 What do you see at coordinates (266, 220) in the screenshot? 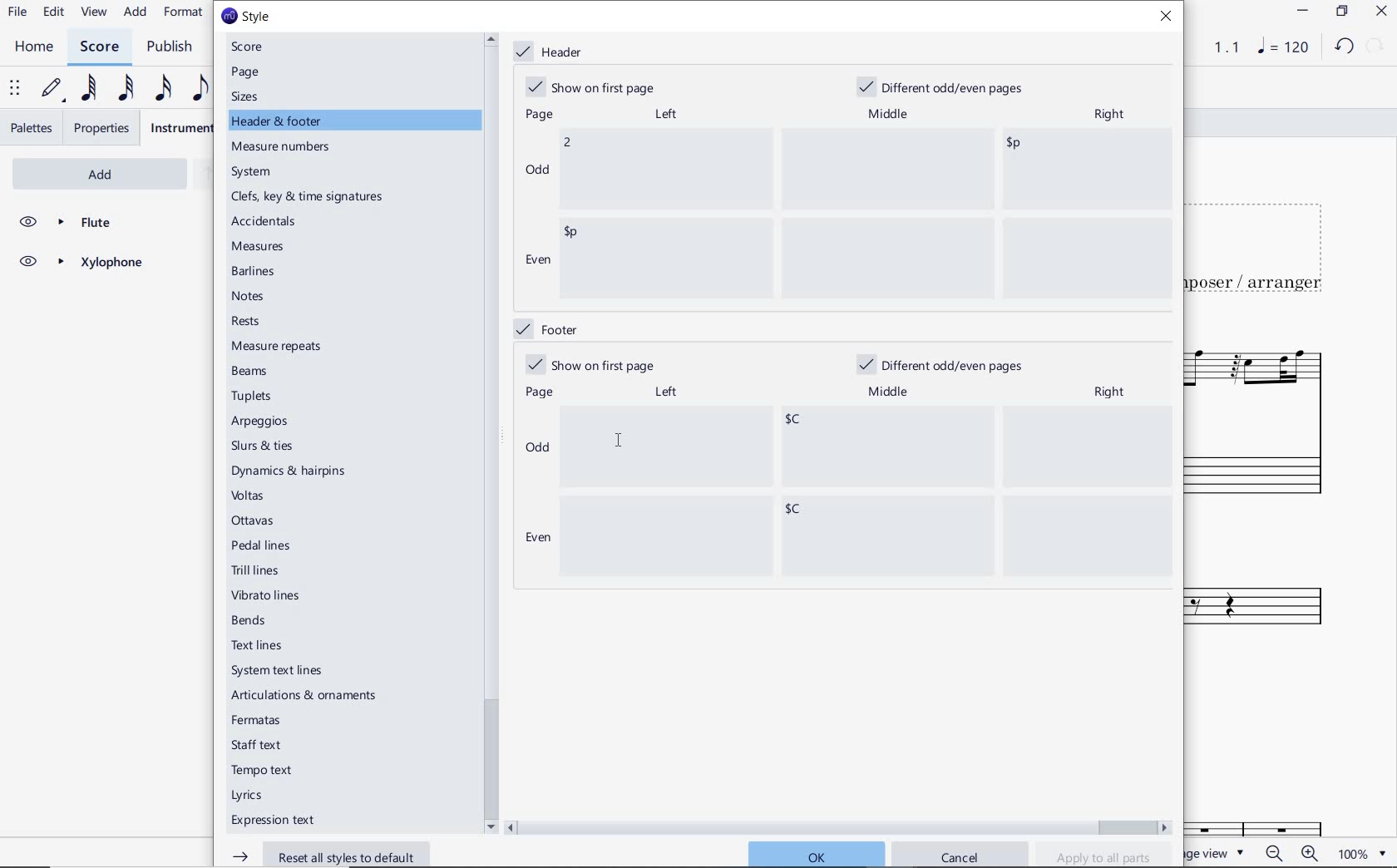
I see `accidentals` at bounding box center [266, 220].